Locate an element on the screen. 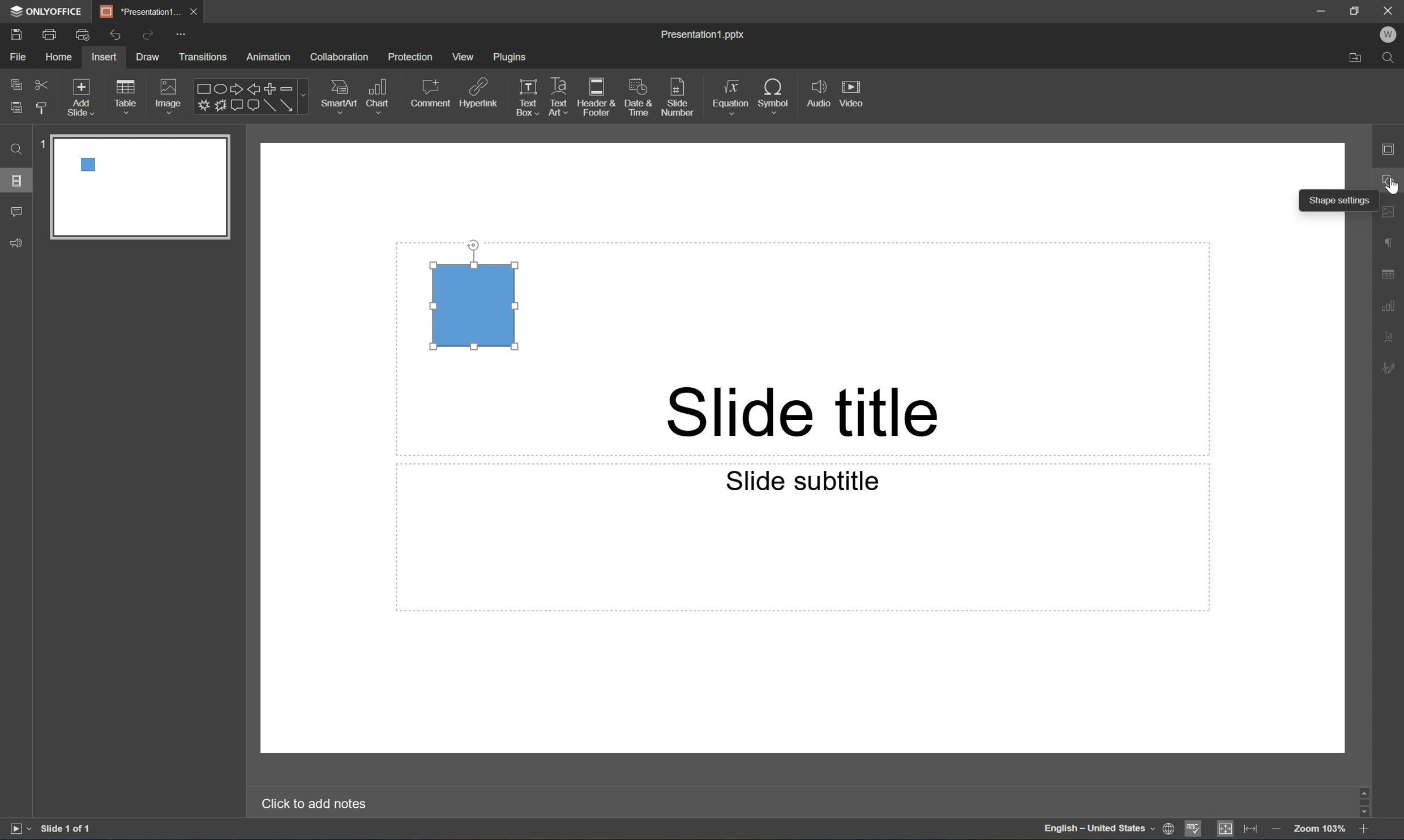  Scroll Up is located at coordinates (1364, 788).